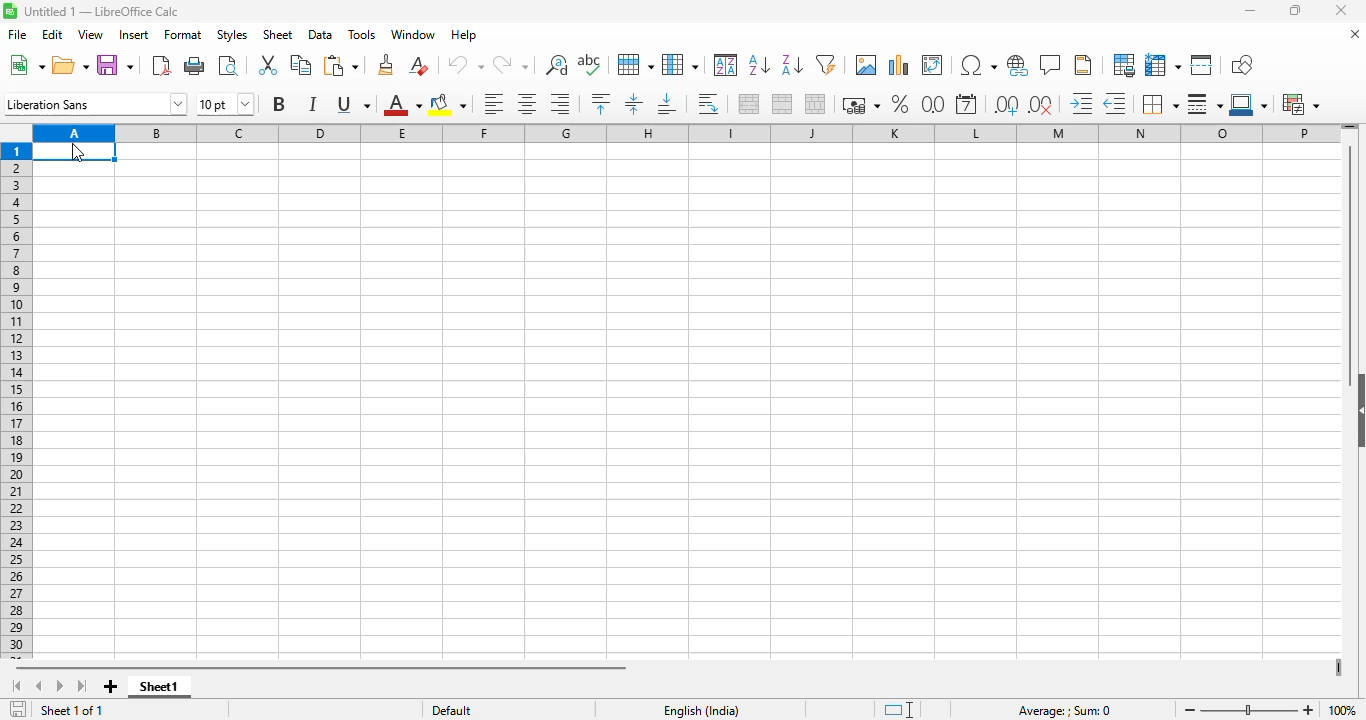 The width and height of the screenshot is (1366, 720). I want to click on sheet 1 of 1, so click(72, 710).